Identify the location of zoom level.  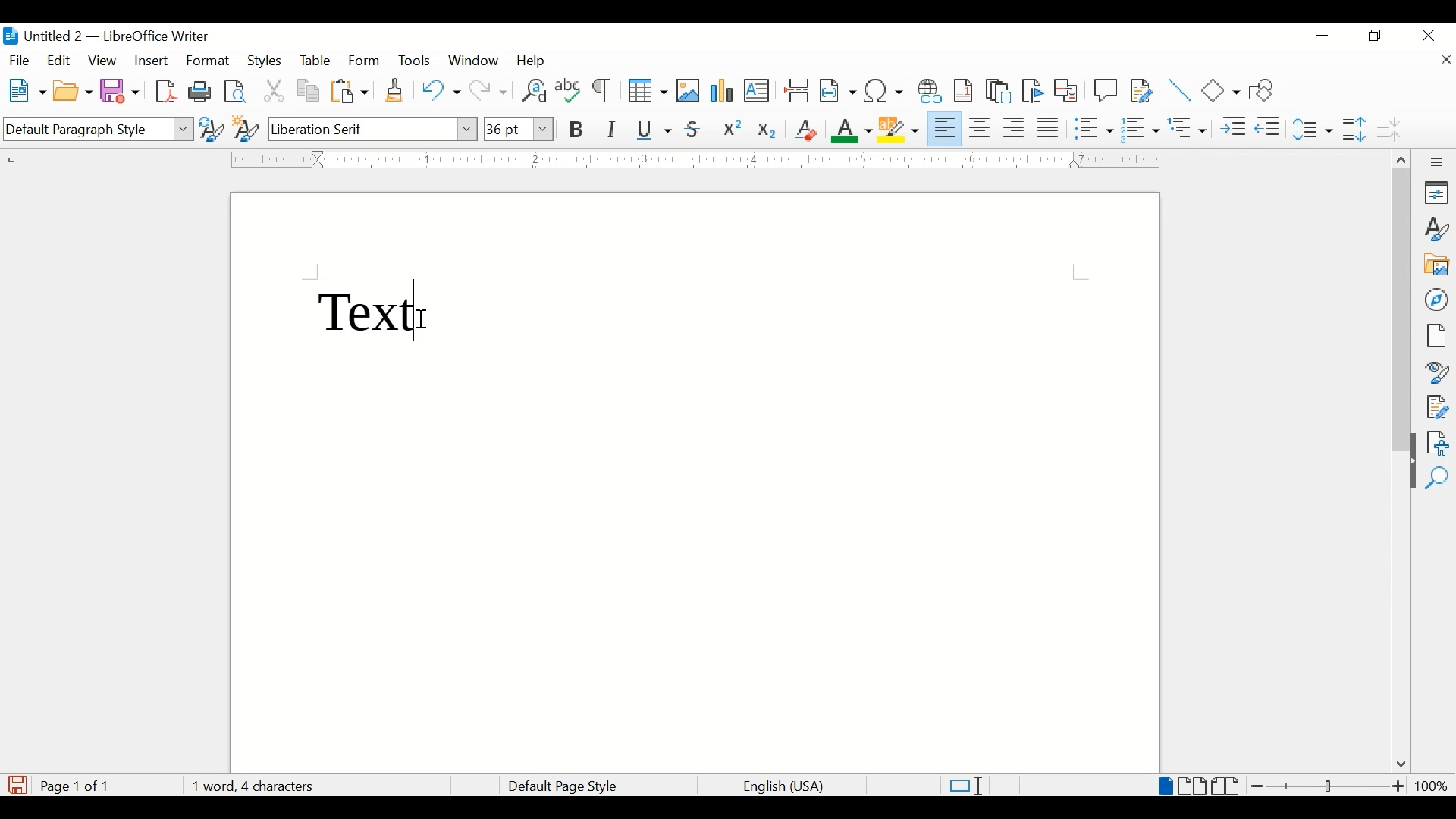
(1431, 786).